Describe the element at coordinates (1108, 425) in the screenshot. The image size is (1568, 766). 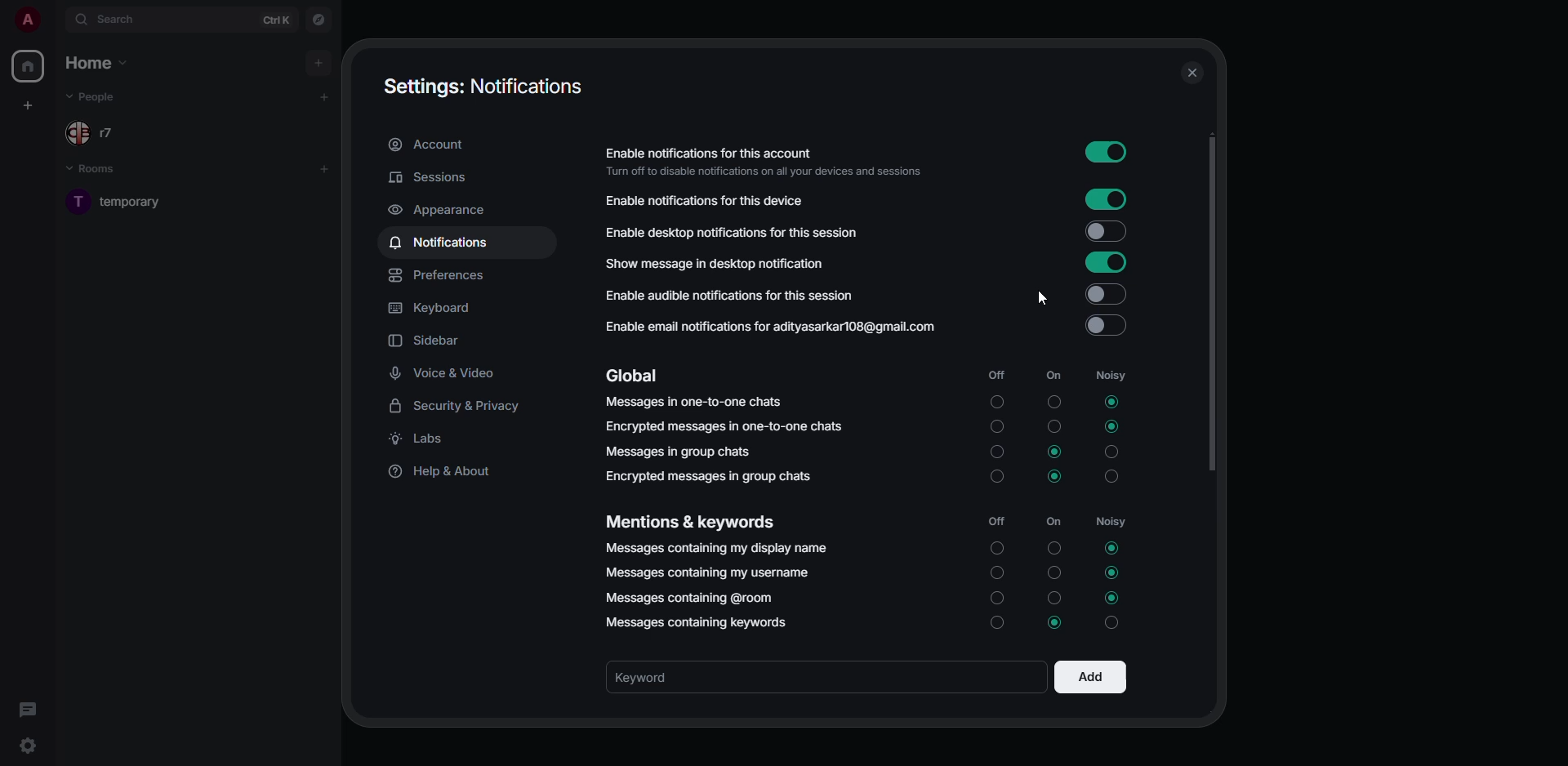
I see `selected` at that location.